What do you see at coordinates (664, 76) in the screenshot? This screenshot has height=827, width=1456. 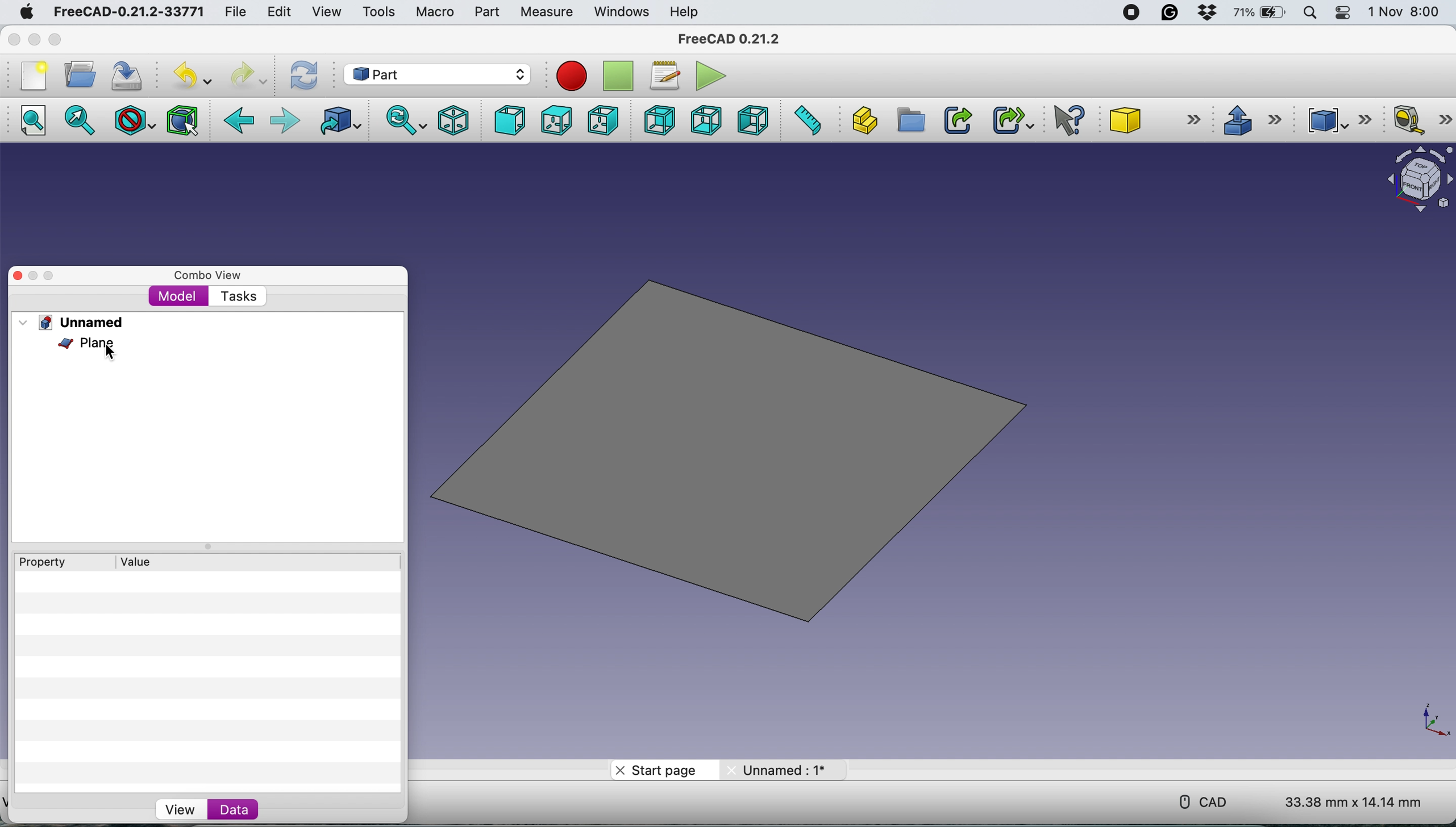 I see `macros` at bounding box center [664, 76].